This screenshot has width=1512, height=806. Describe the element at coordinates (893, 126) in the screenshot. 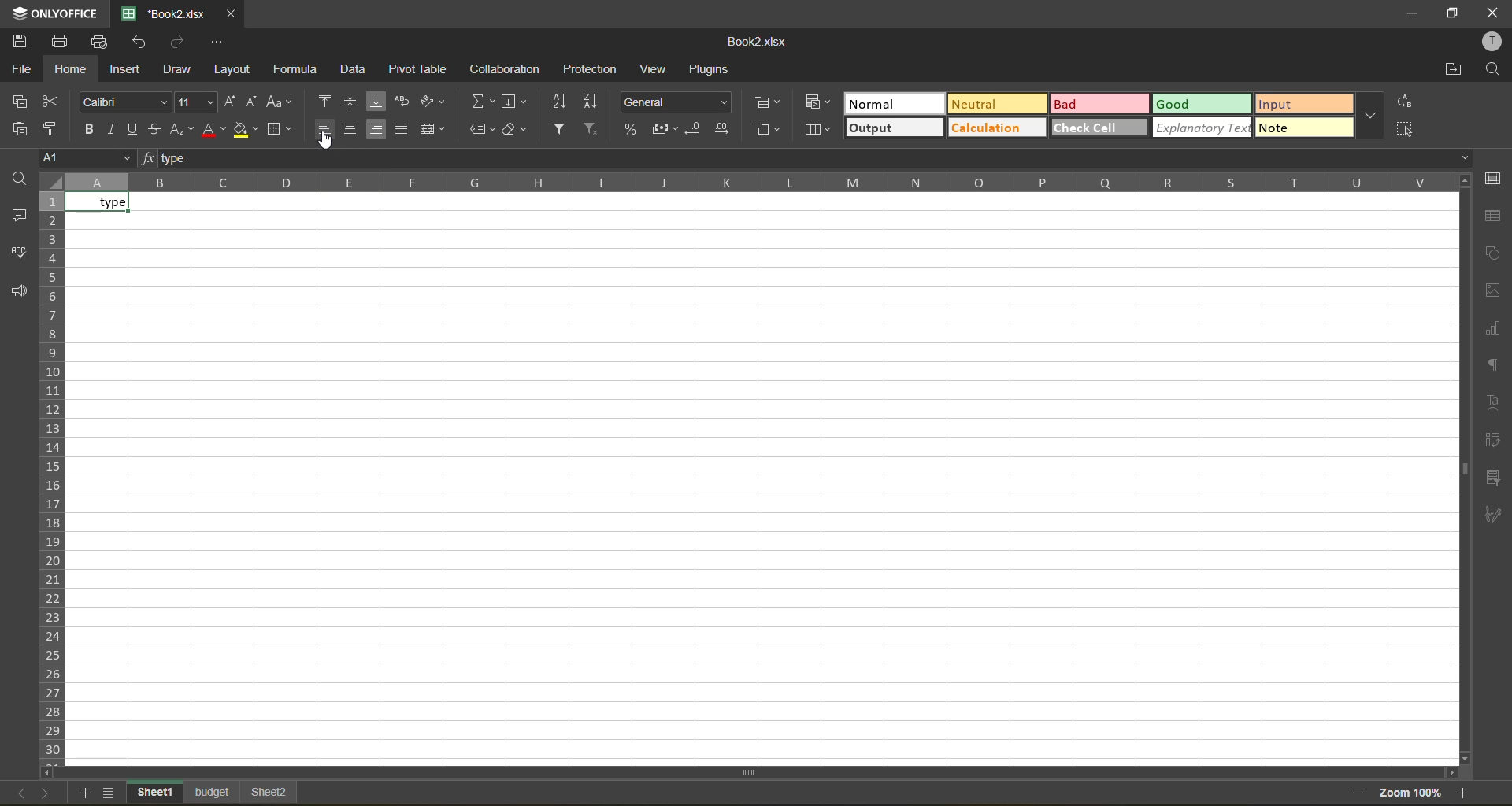

I see `output` at that location.